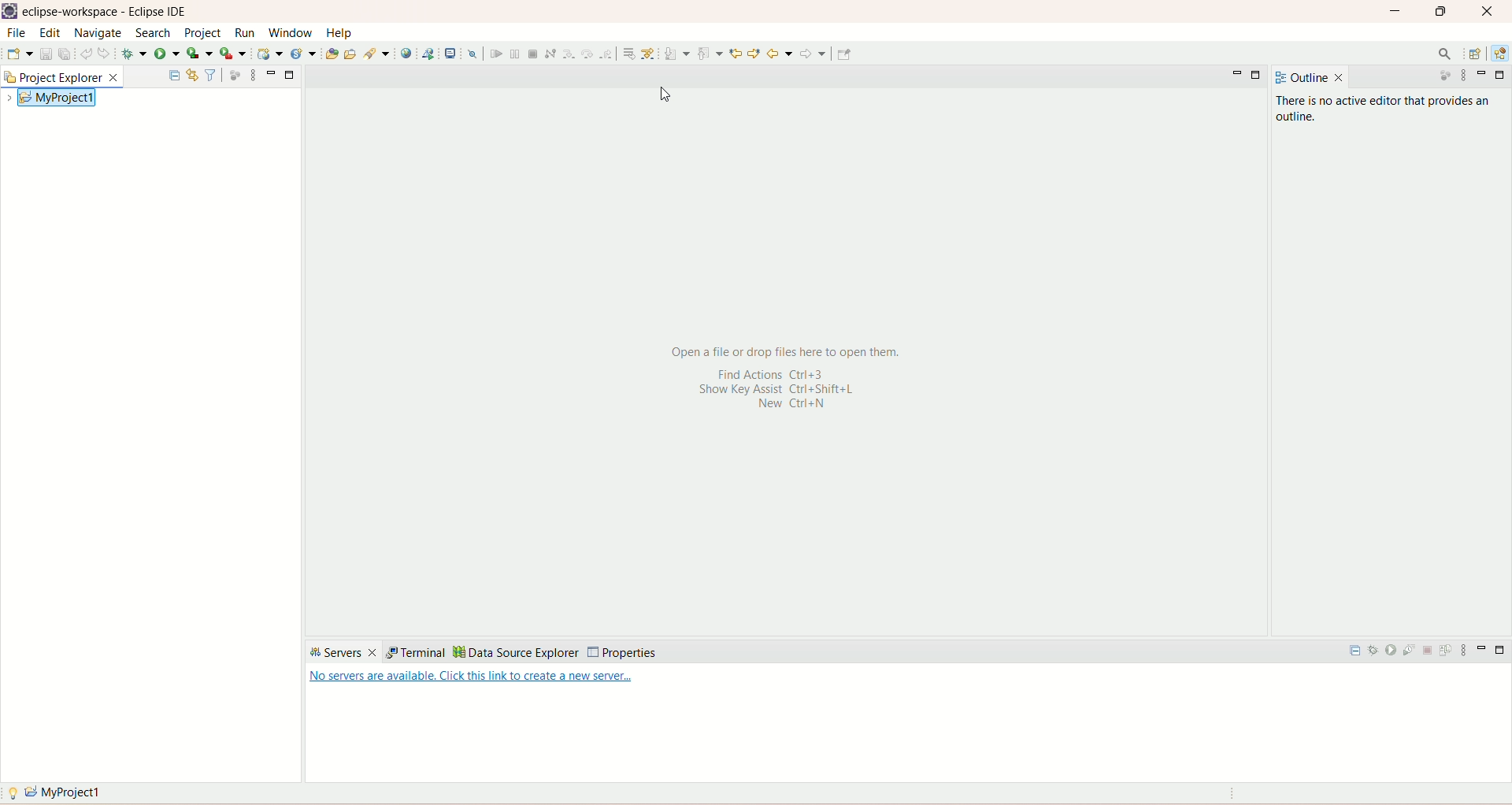 The width and height of the screenshot is (1512, 805). Describe the element at coordinates (1503, 76) in the screenshot. I see `maximize` at that location.